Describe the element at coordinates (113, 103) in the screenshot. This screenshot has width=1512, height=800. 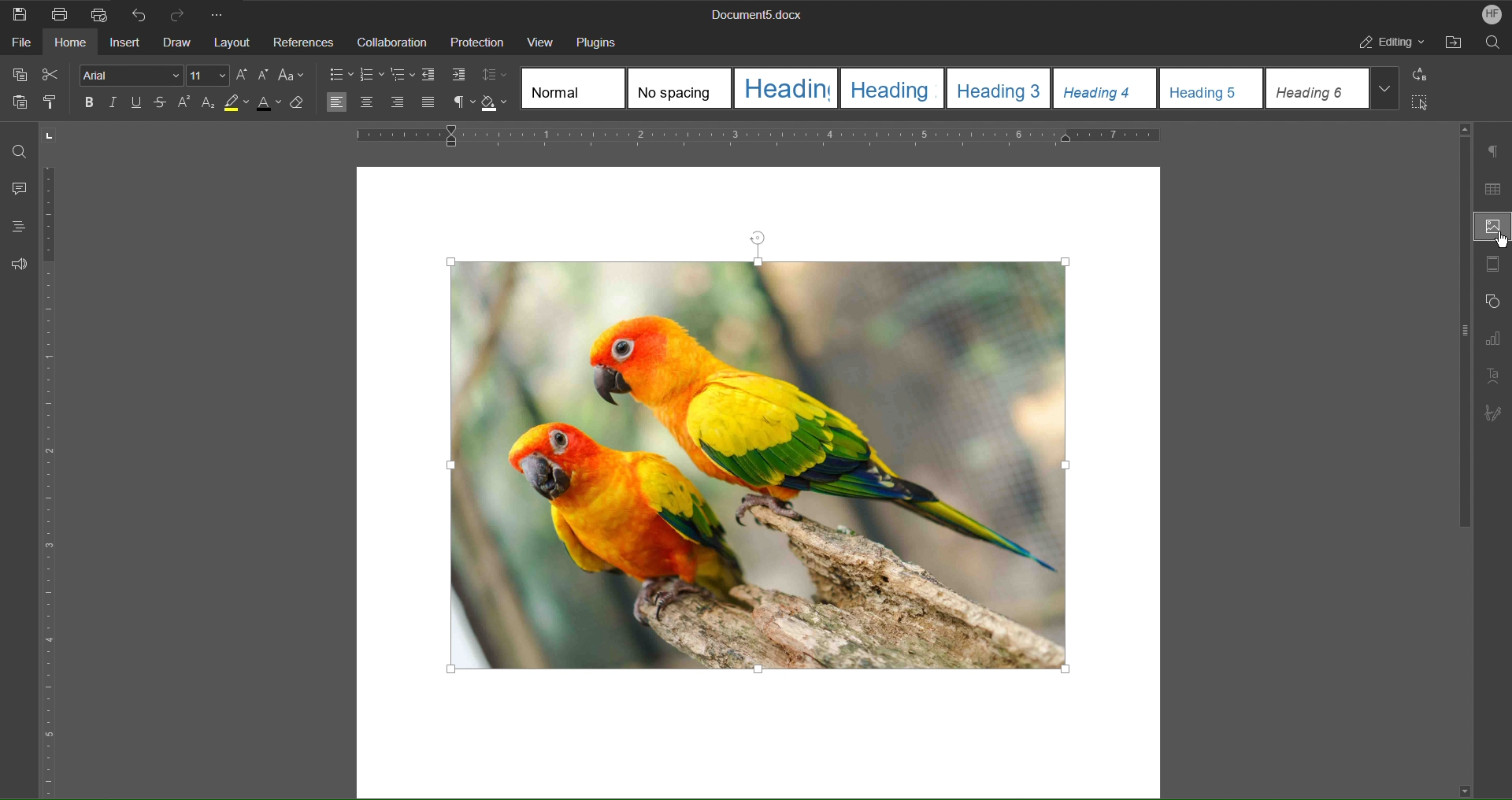
I see `Italic` at that location.